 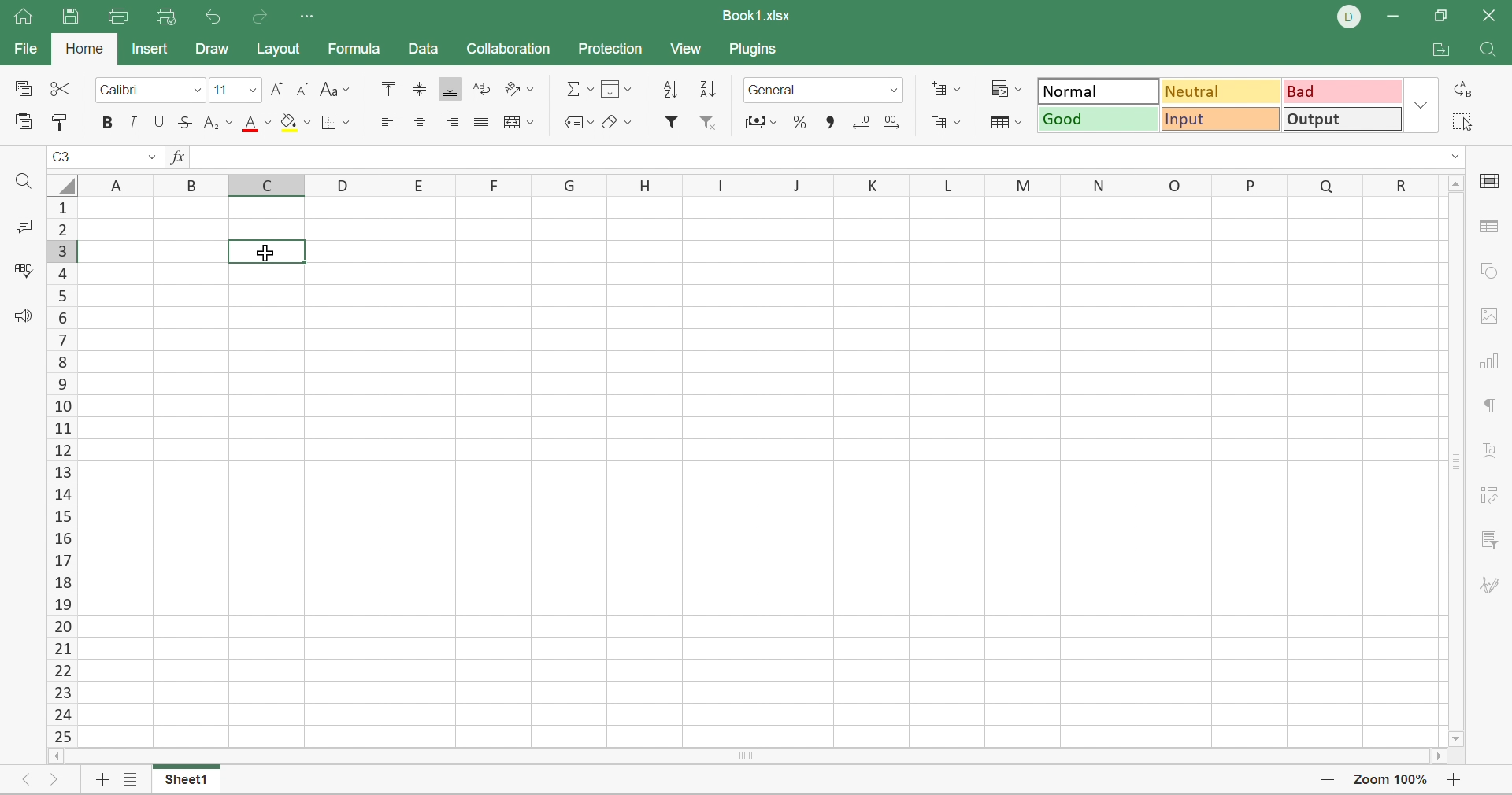 What do you see at coordinates (59, 470) in the screenshot?
I see `Scroll Bar` at bounding box center [59, 470].